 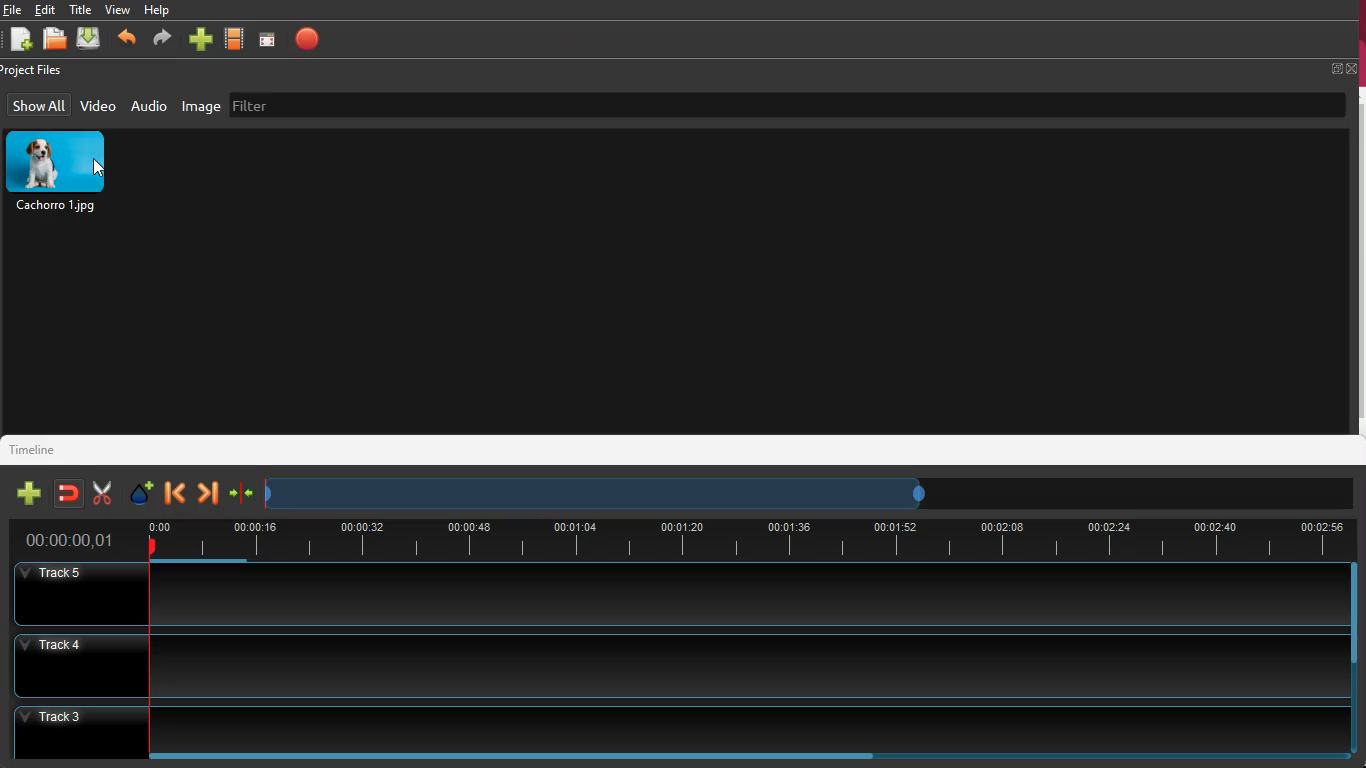 What do you see at coordinates (70, 538) in the screenshot?
I see `time` at bounding box center [70, 538].